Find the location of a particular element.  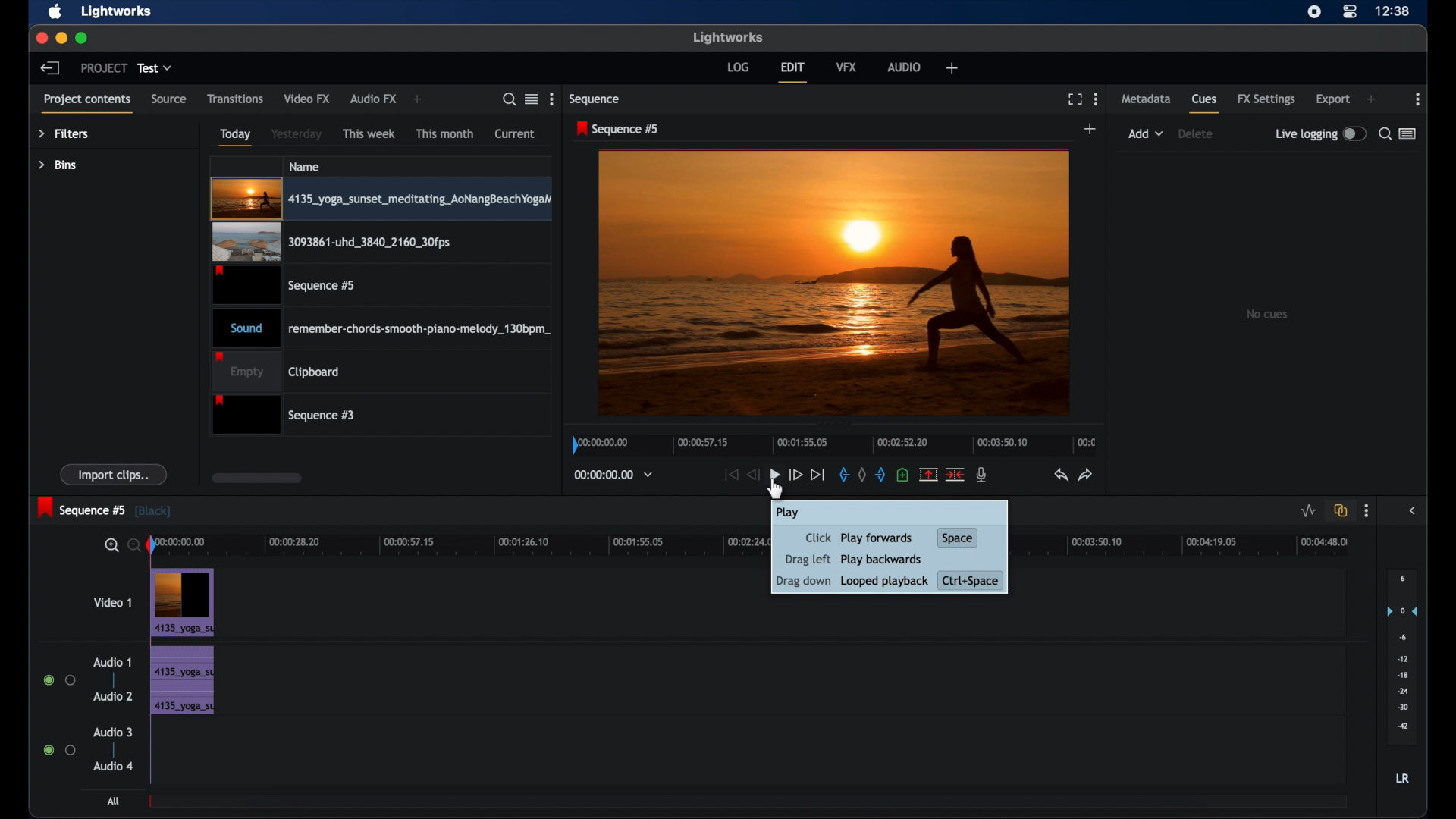

zoom  is located at coordinates (118, 544).